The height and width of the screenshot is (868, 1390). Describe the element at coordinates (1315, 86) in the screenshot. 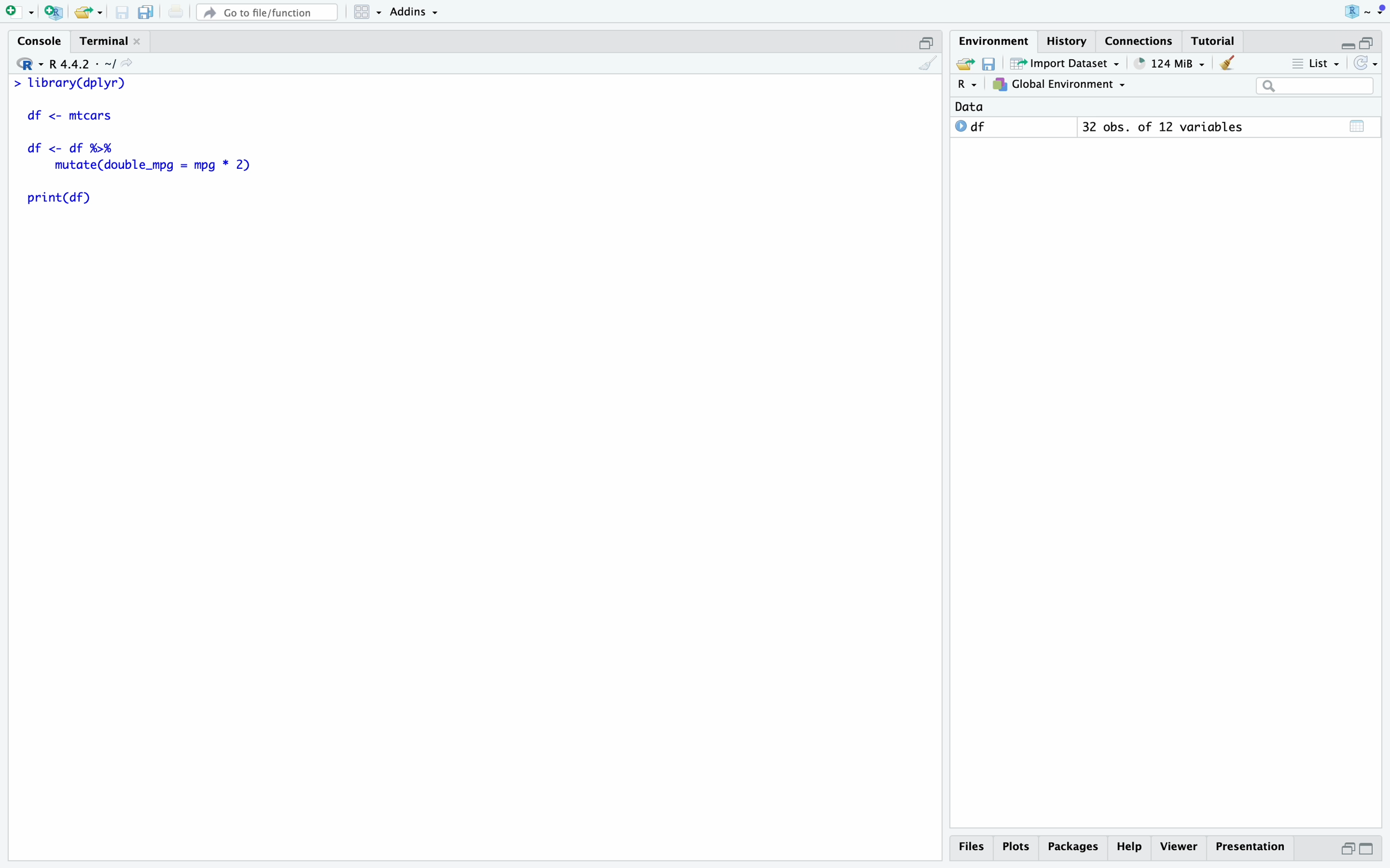

I see `search box` at that location.